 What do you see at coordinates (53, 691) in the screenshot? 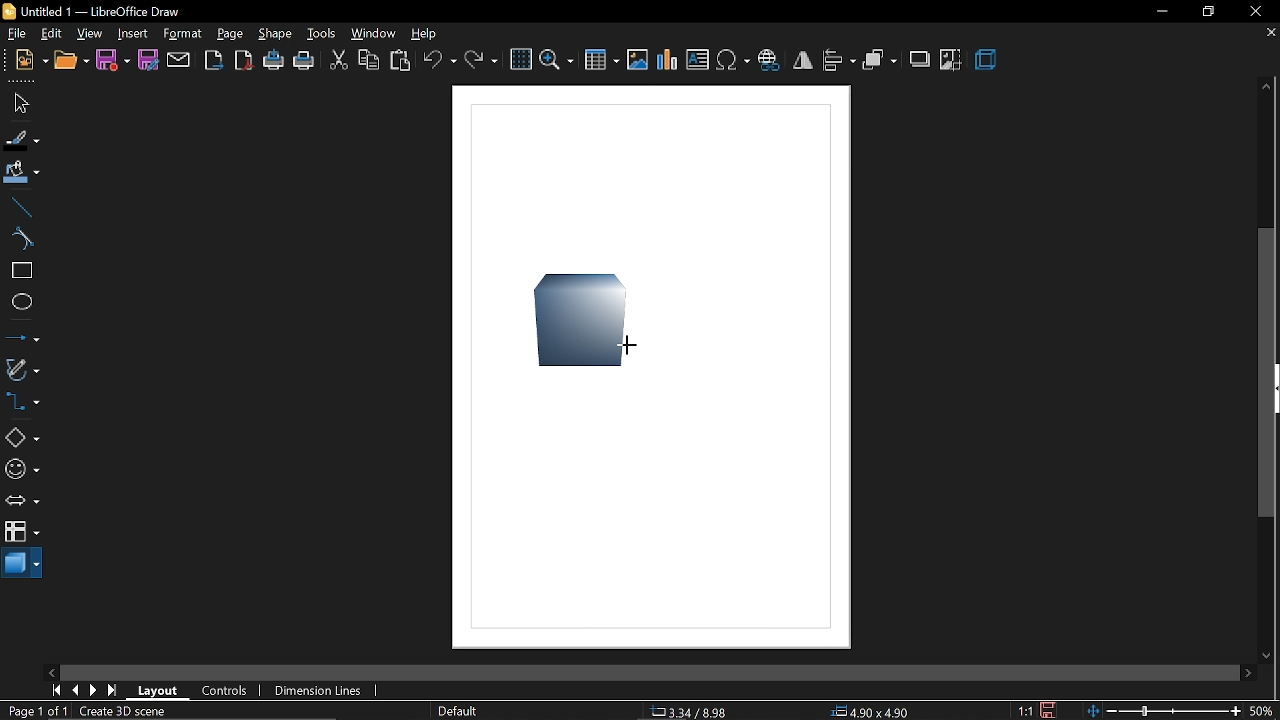
I see `go to first page` at bounding box center [53, 691].